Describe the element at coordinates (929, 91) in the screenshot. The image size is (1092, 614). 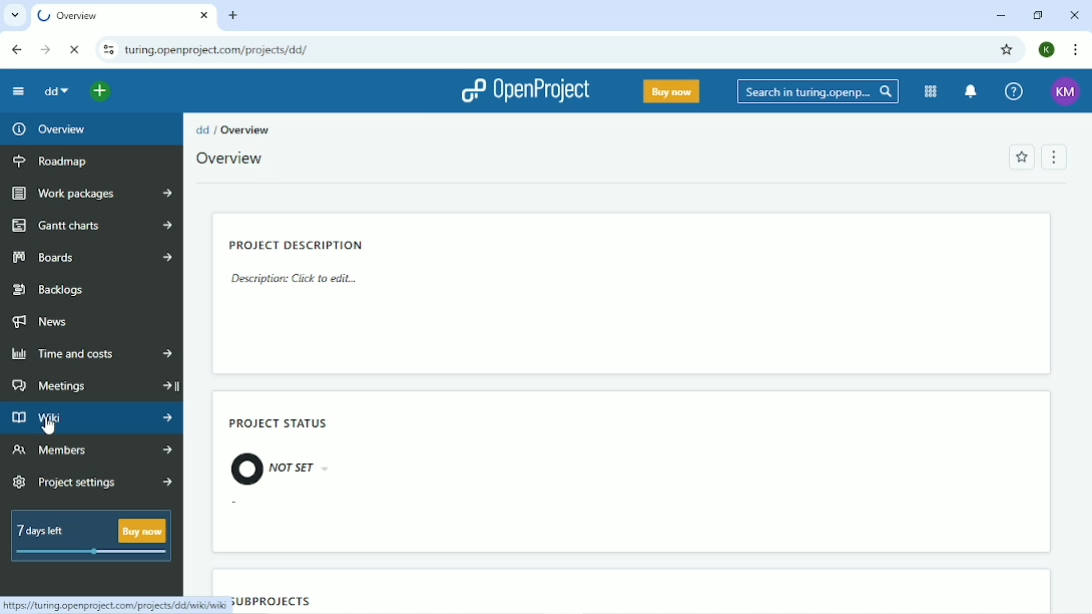
I see `Modules` at that location.